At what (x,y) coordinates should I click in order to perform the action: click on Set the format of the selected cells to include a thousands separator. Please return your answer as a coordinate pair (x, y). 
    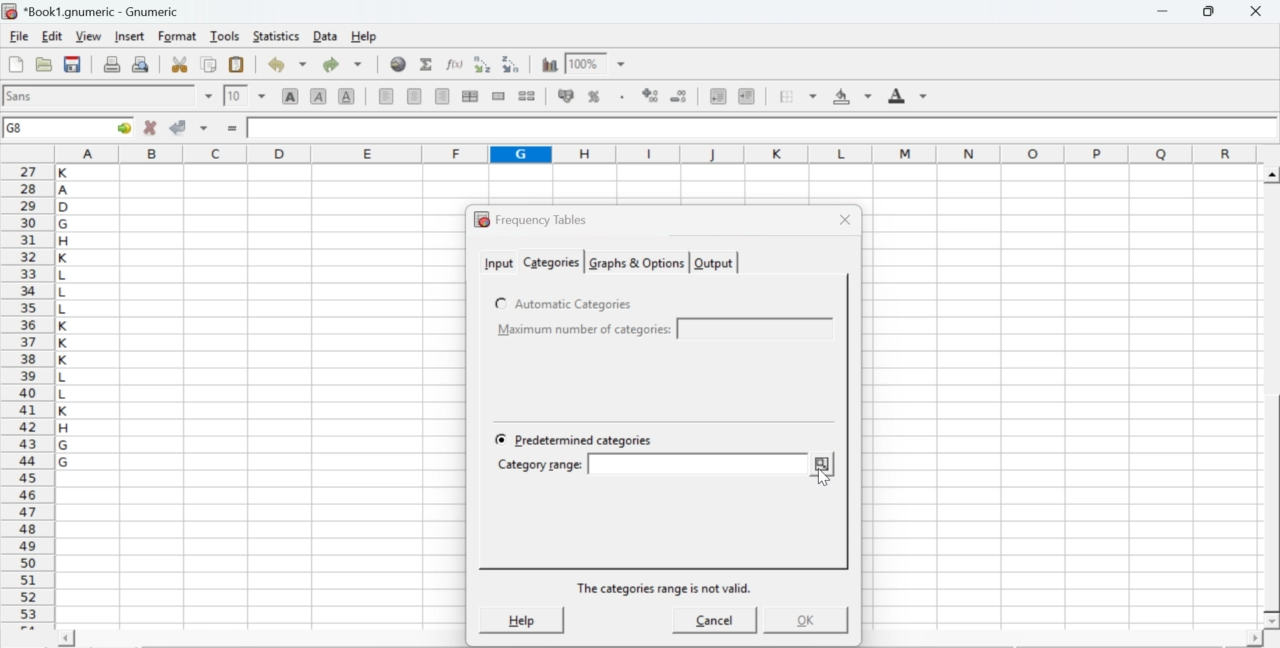
    Looking at the image, I should click on (620, 97).